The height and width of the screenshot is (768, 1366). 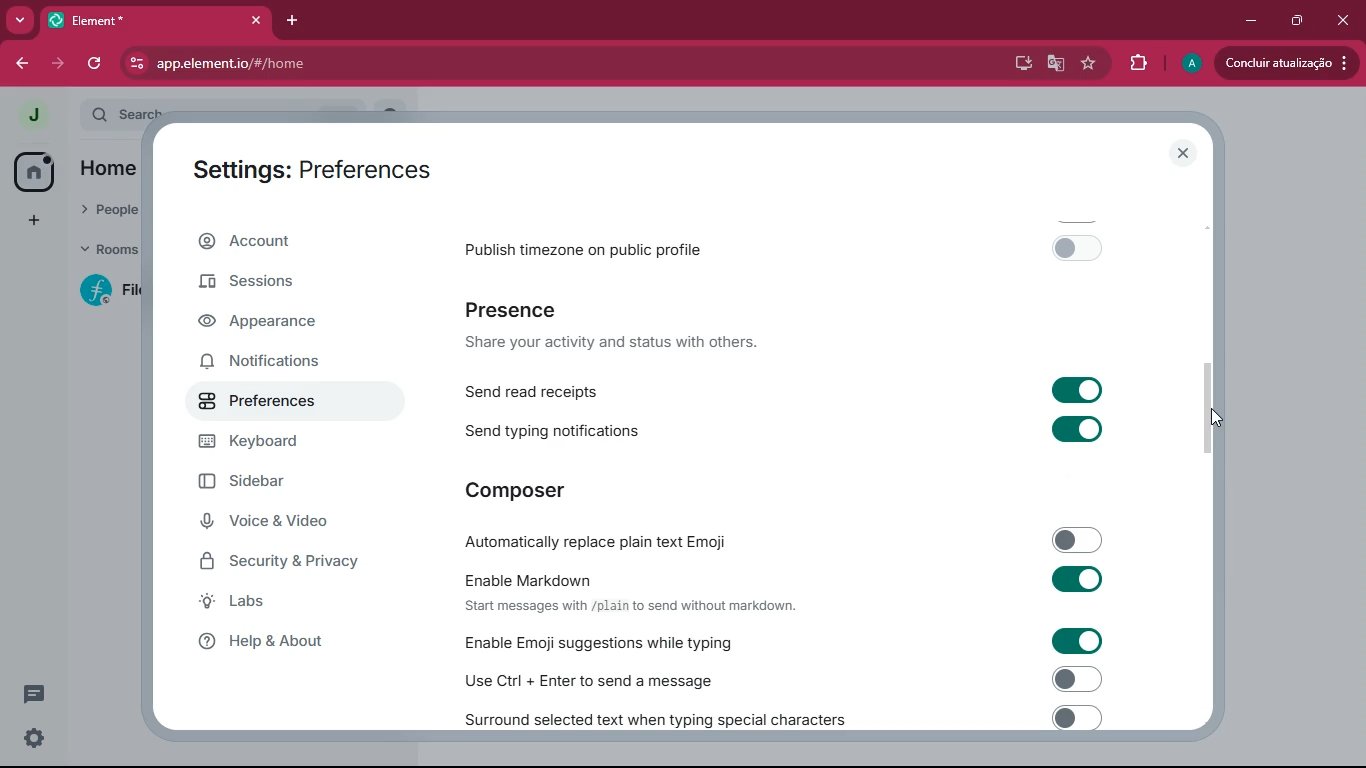 What do you see at coordinates (271, 484) in the screenshot?
I see `sidebar` at bounding box center [271, 484].